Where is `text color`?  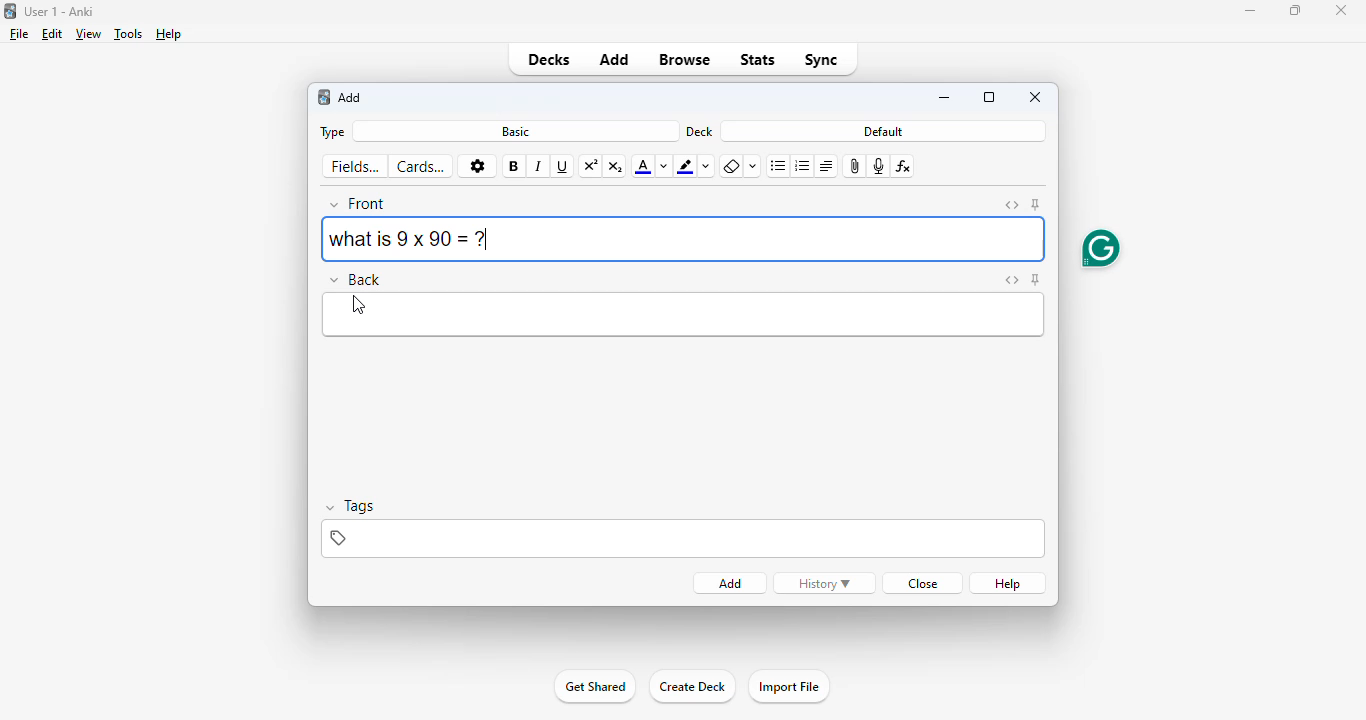 text color is located at coordinates (642, 167).